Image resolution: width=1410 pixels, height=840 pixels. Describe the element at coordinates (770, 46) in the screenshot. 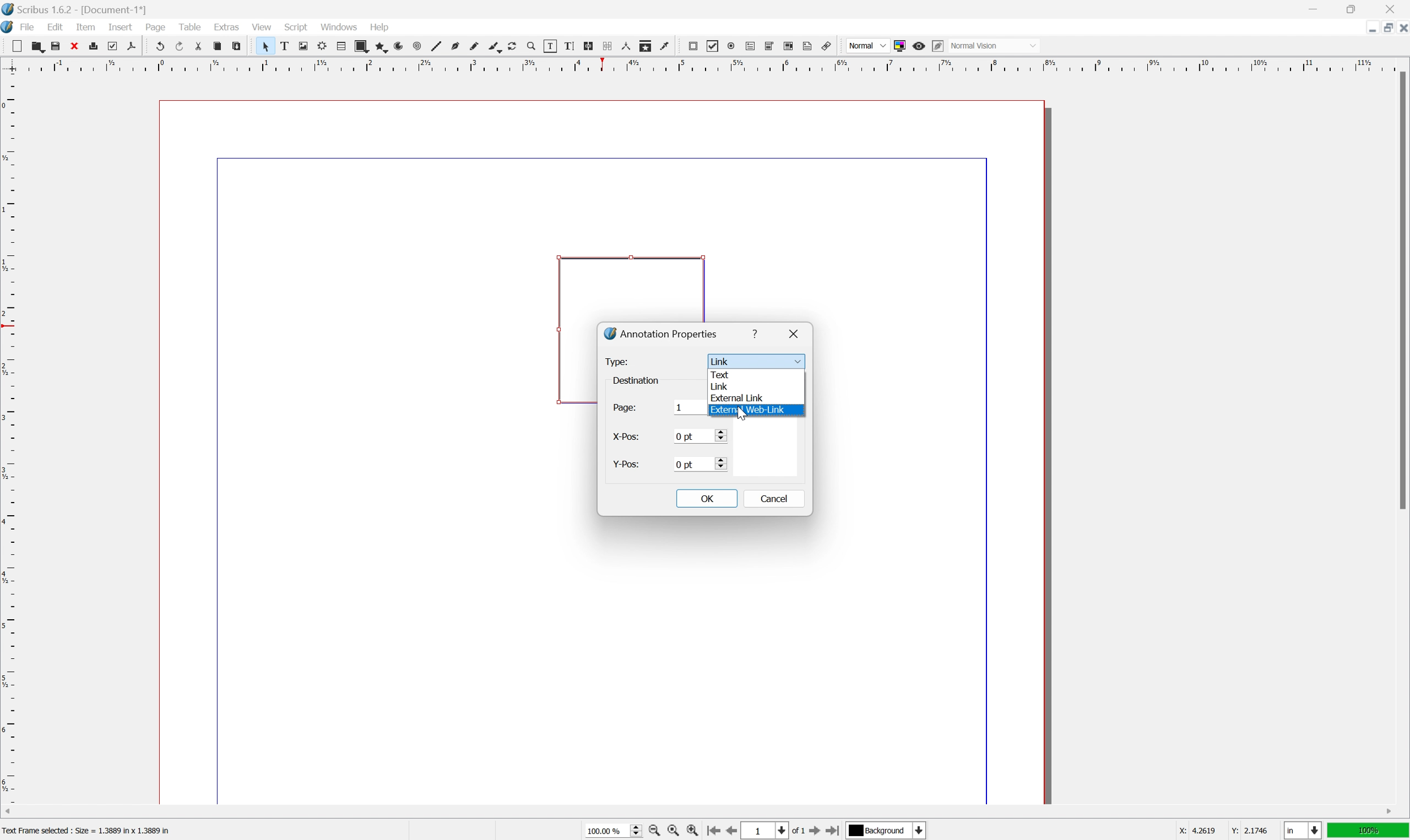

I see `pdf combo box` at that location.